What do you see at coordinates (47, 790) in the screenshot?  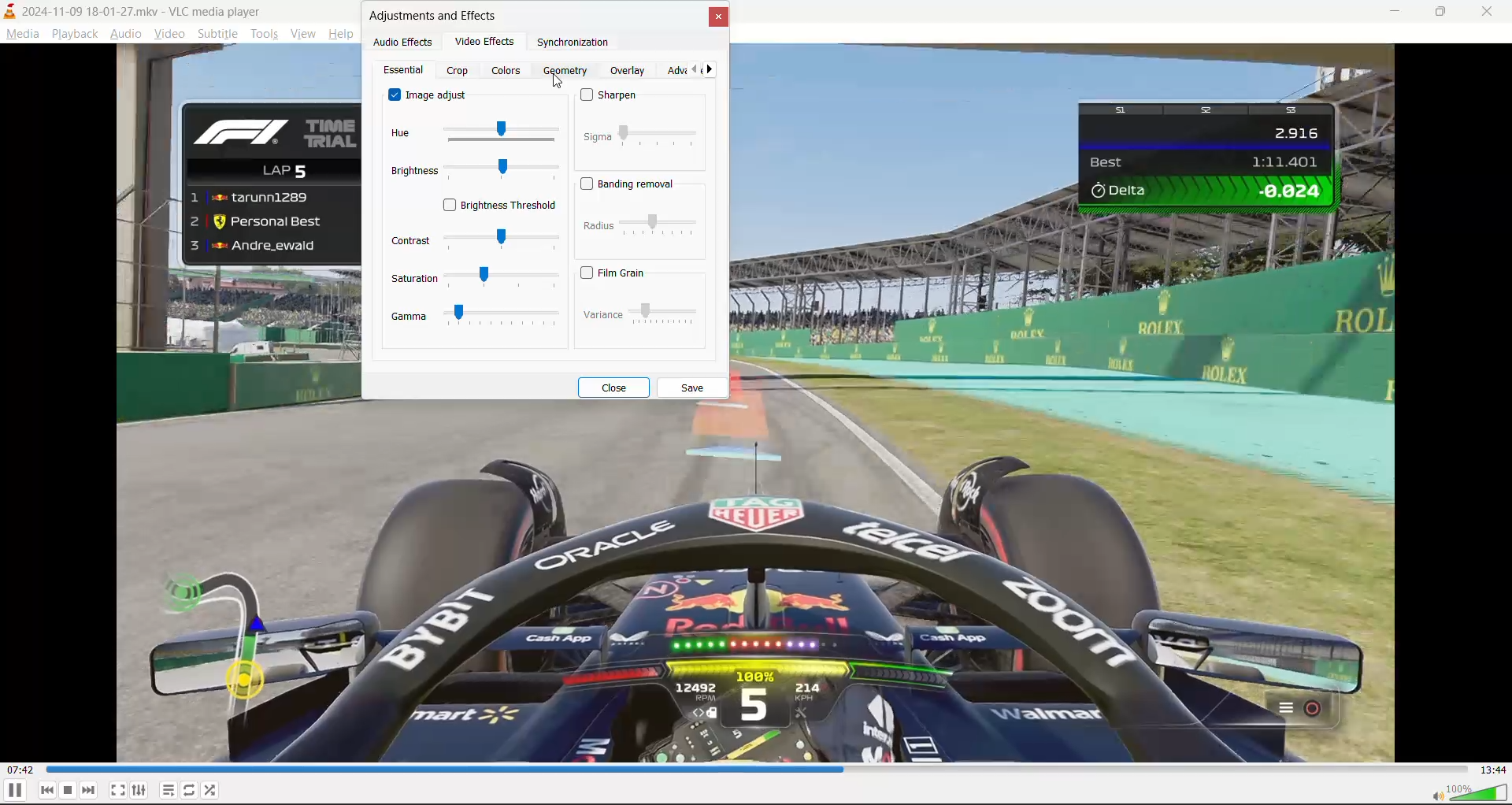 I see `previous` at bounding box center [47, 790].